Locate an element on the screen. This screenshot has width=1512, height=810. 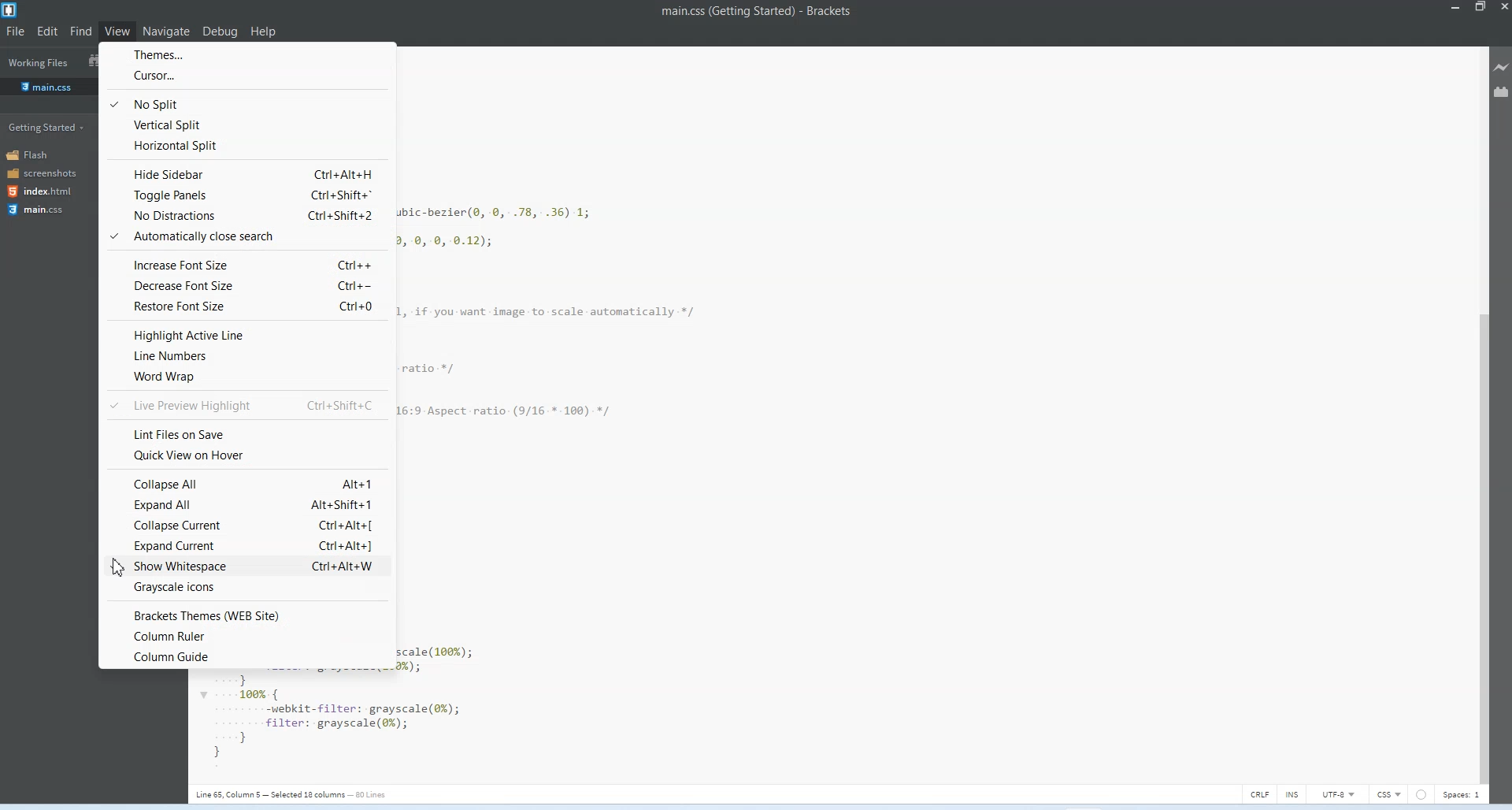
Collapse all is located at coordinates (246, 481).